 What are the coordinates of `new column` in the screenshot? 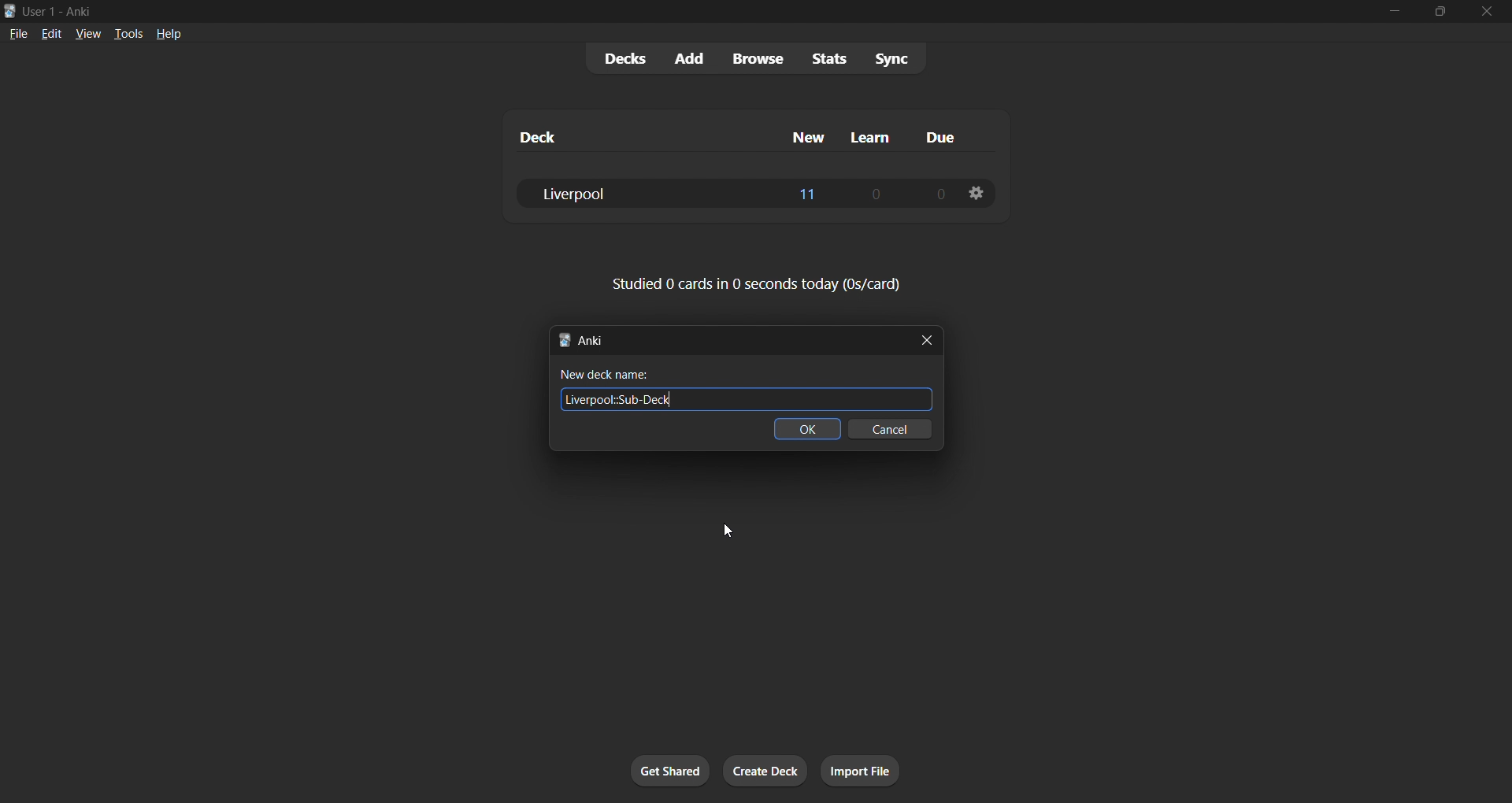 It's located at (809, 135).